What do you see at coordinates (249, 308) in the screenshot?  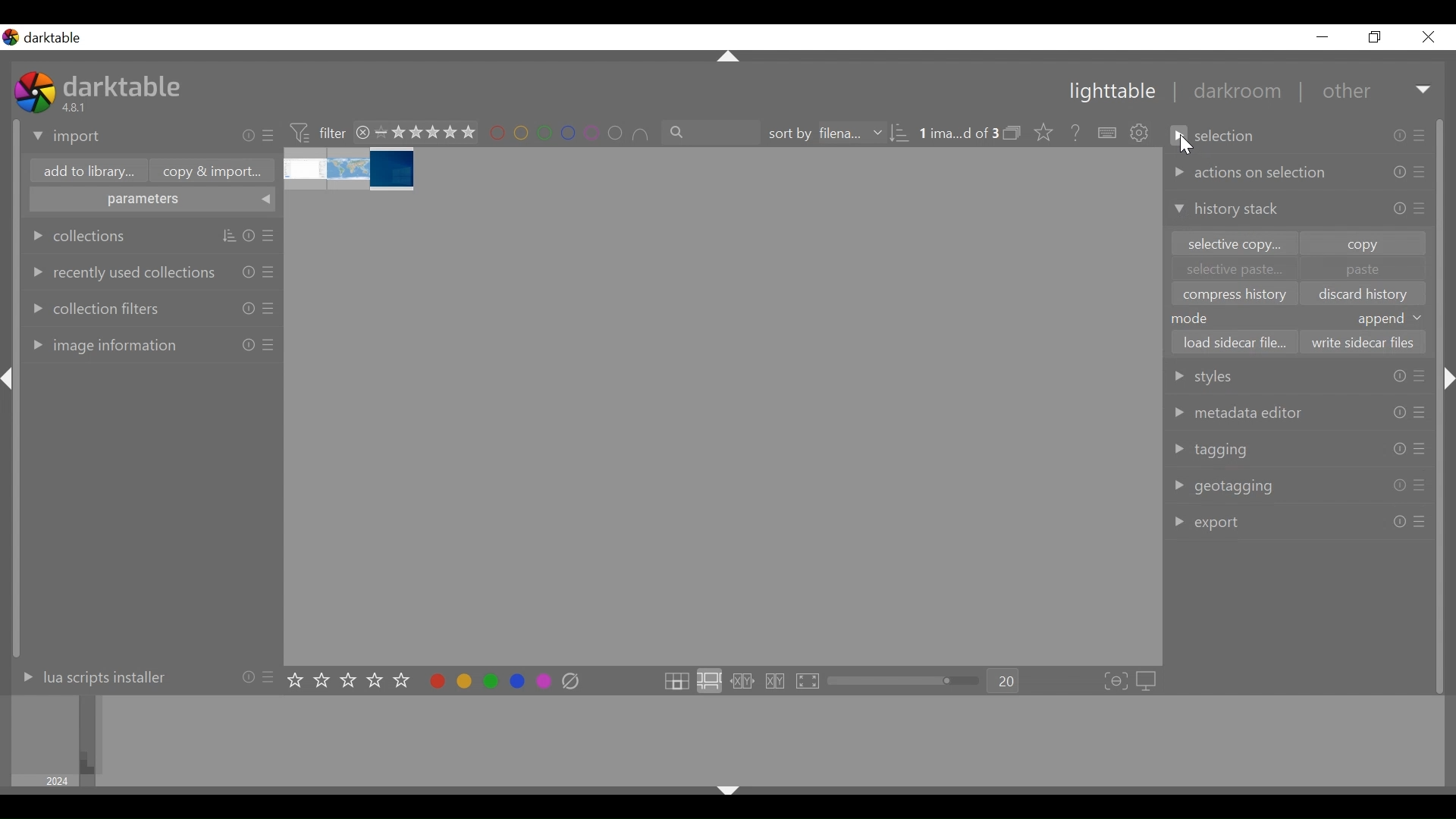 I see `info` at bounding box center [249, 308].